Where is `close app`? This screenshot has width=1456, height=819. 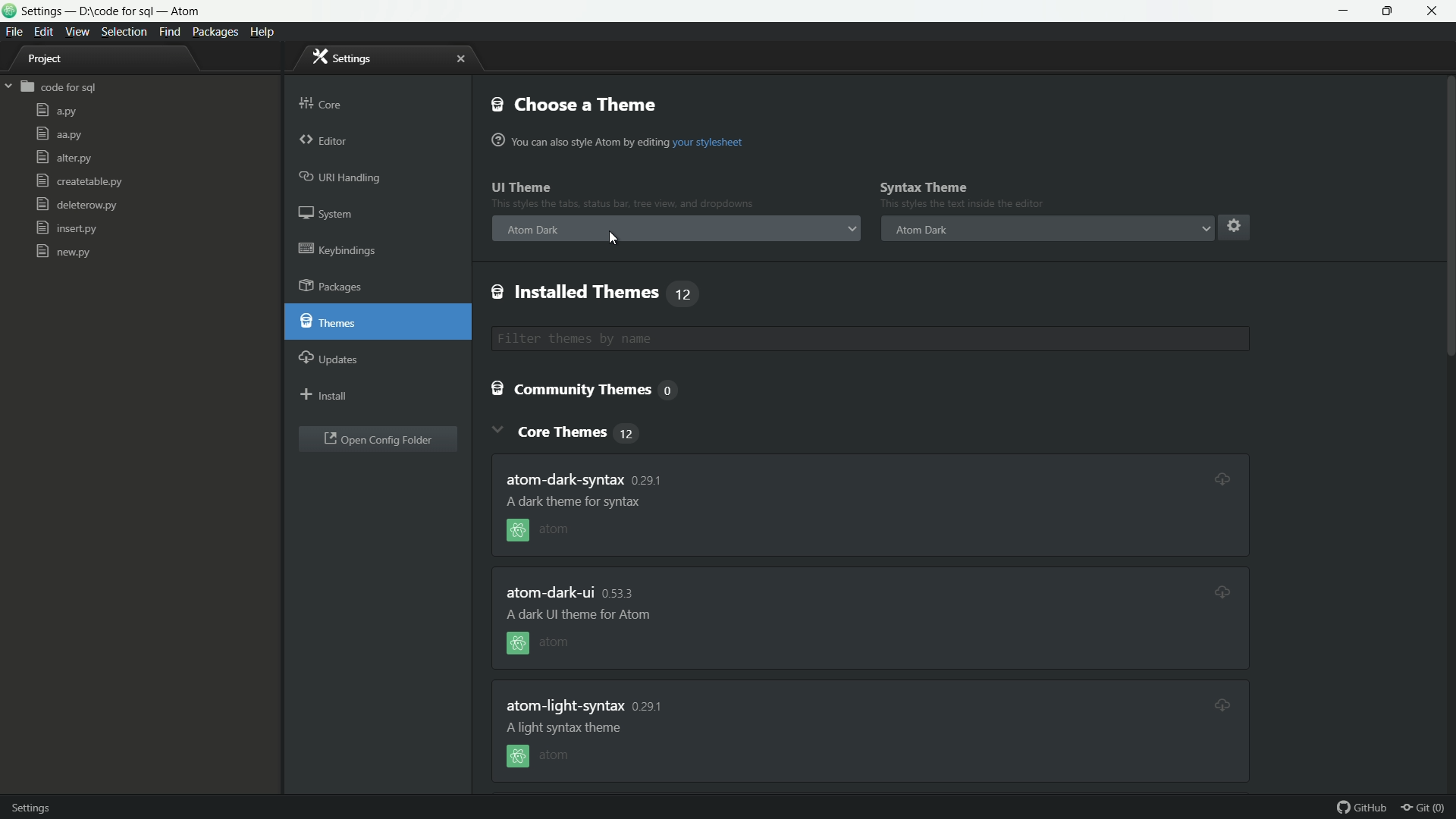 close app is located at coordinates (1437, 11).